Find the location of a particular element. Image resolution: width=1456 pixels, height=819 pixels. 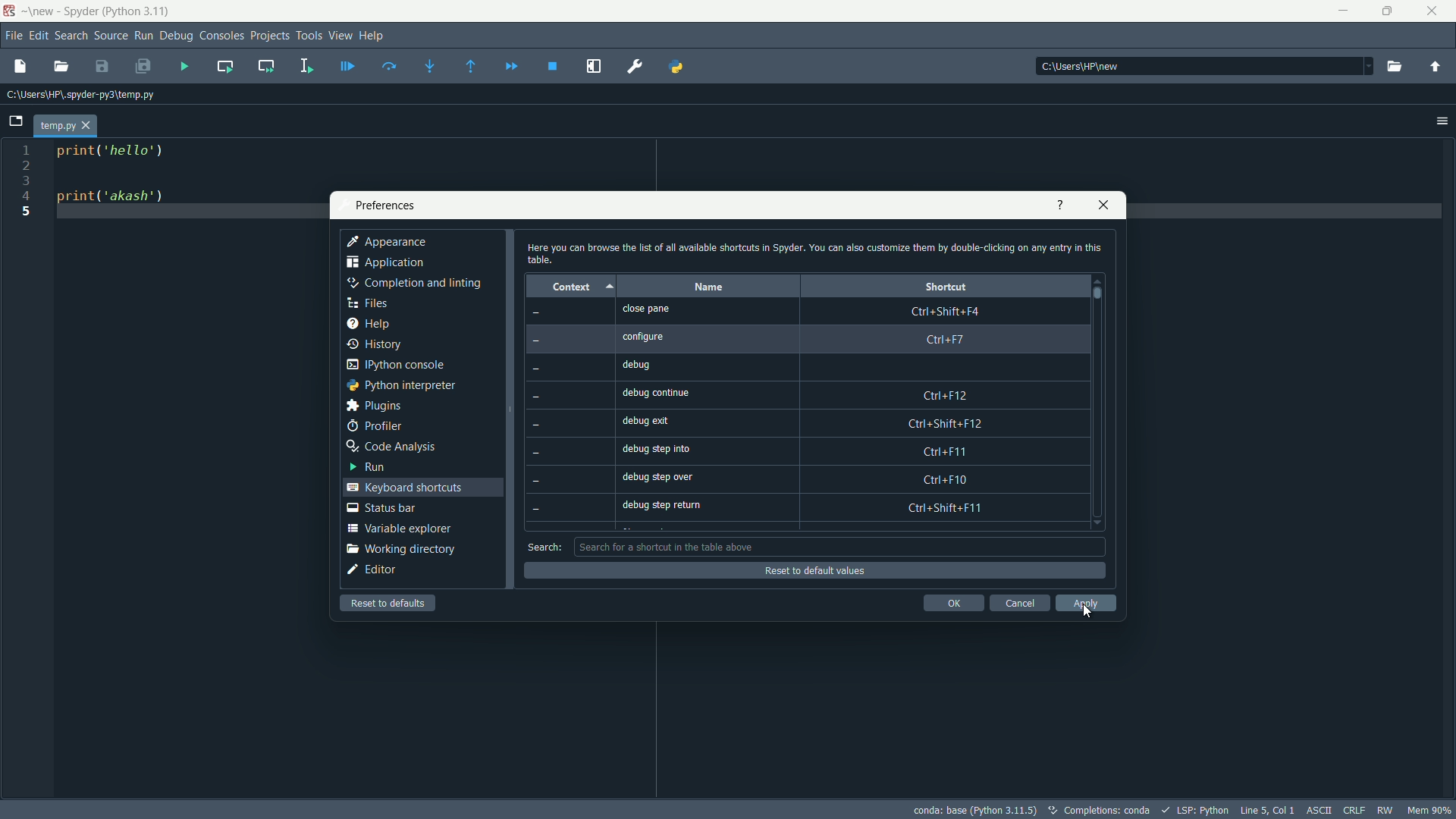

close app is located at coordinates (1436, 11).